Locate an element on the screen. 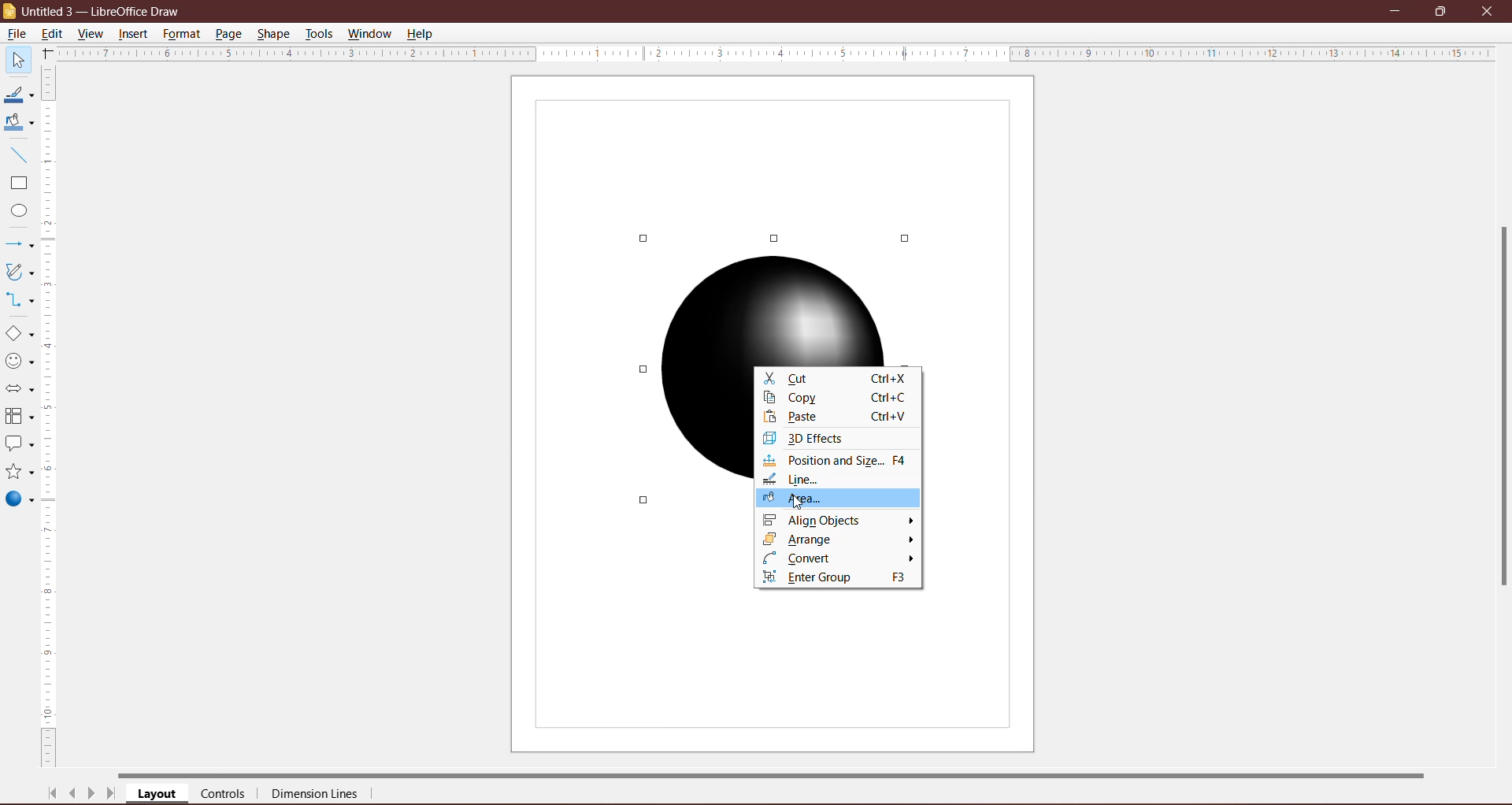  Insert is located at coordinates (134, 34).